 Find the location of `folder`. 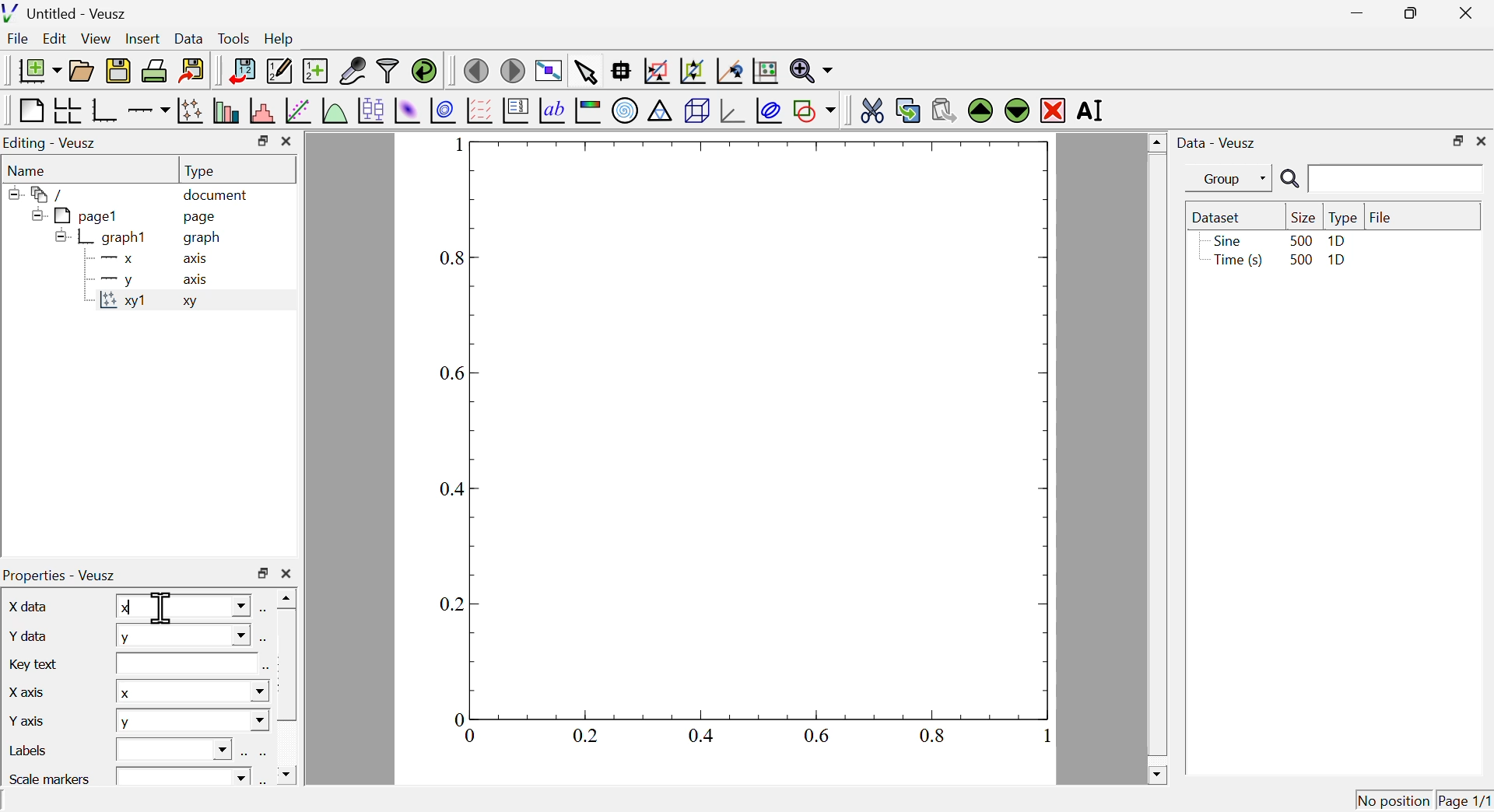

folder is located at coordinates (43, 194).